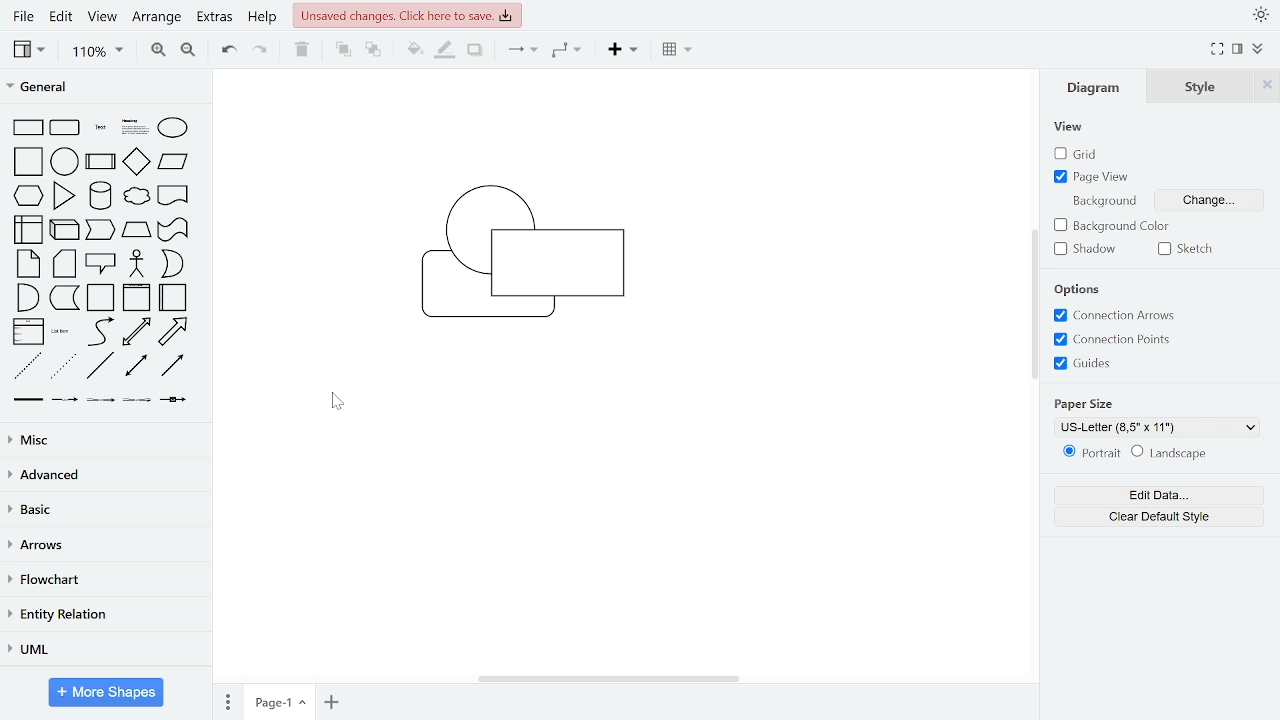 The image size is (1280, 720). Describe the element at coordinates (108, 472) in the screenshot. I see `advanced` at that location.